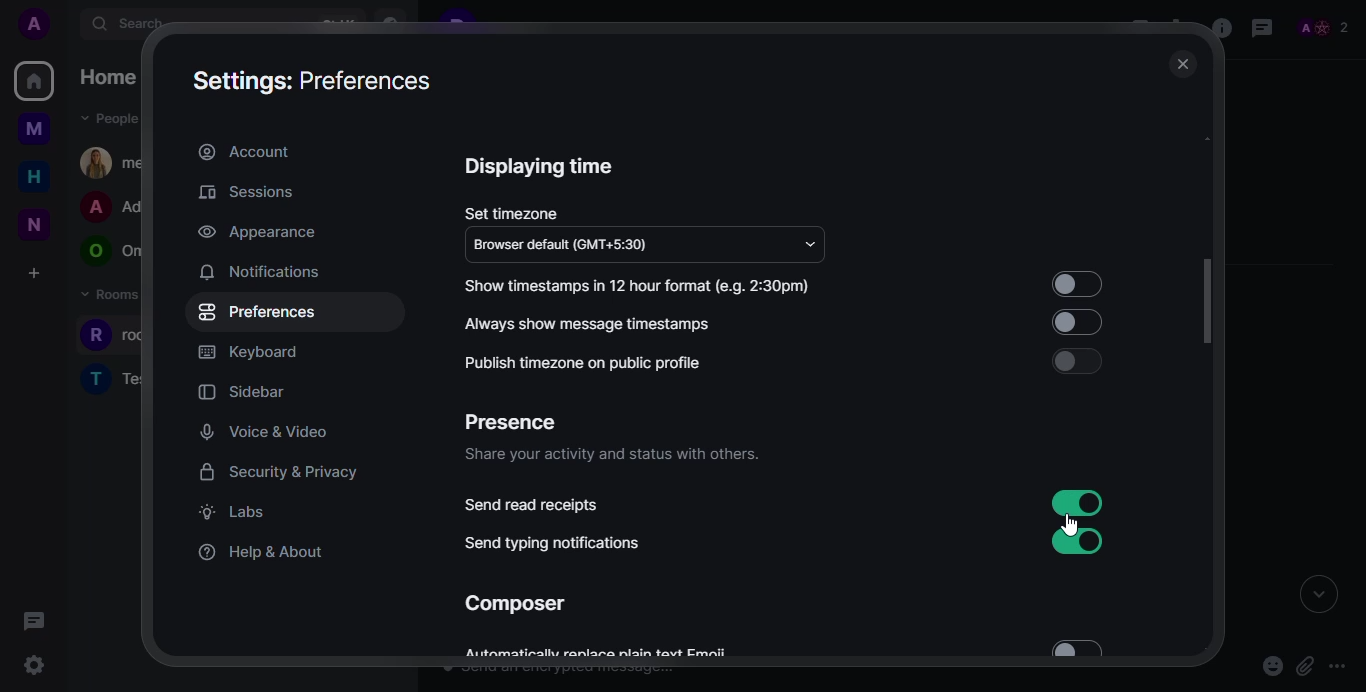 The width and height of the screenshot is (1366, 692). What do you see at coordinates (1305, 666) in the screenshot?
I see `attach` at bounding box center [1305, 666].